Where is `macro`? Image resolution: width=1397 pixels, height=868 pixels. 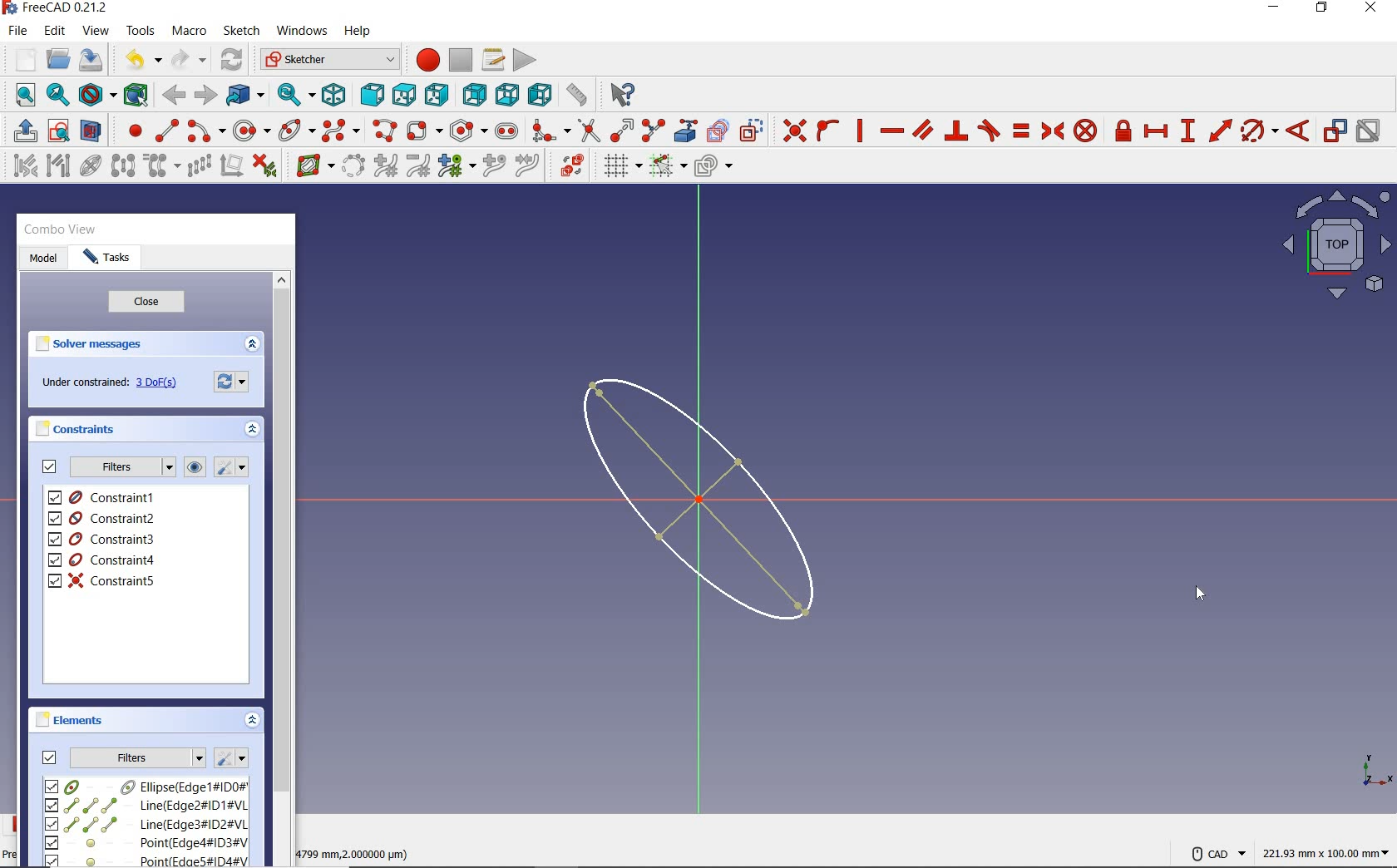 macro is located at coordinates (190, 32).